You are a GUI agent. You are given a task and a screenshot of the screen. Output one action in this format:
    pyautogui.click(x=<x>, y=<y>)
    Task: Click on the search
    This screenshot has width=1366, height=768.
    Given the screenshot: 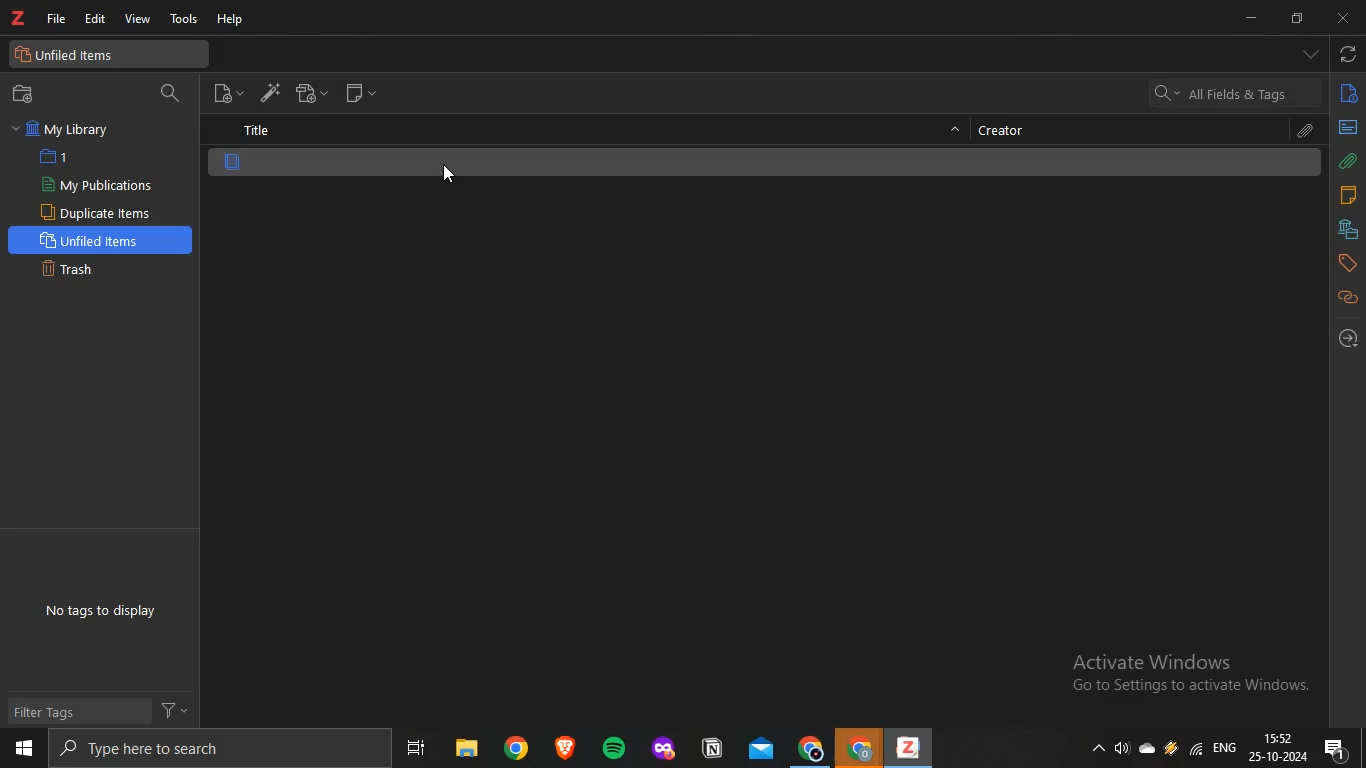 What is the action you would take?
    pyautogui.click(x=210, y=748)
    